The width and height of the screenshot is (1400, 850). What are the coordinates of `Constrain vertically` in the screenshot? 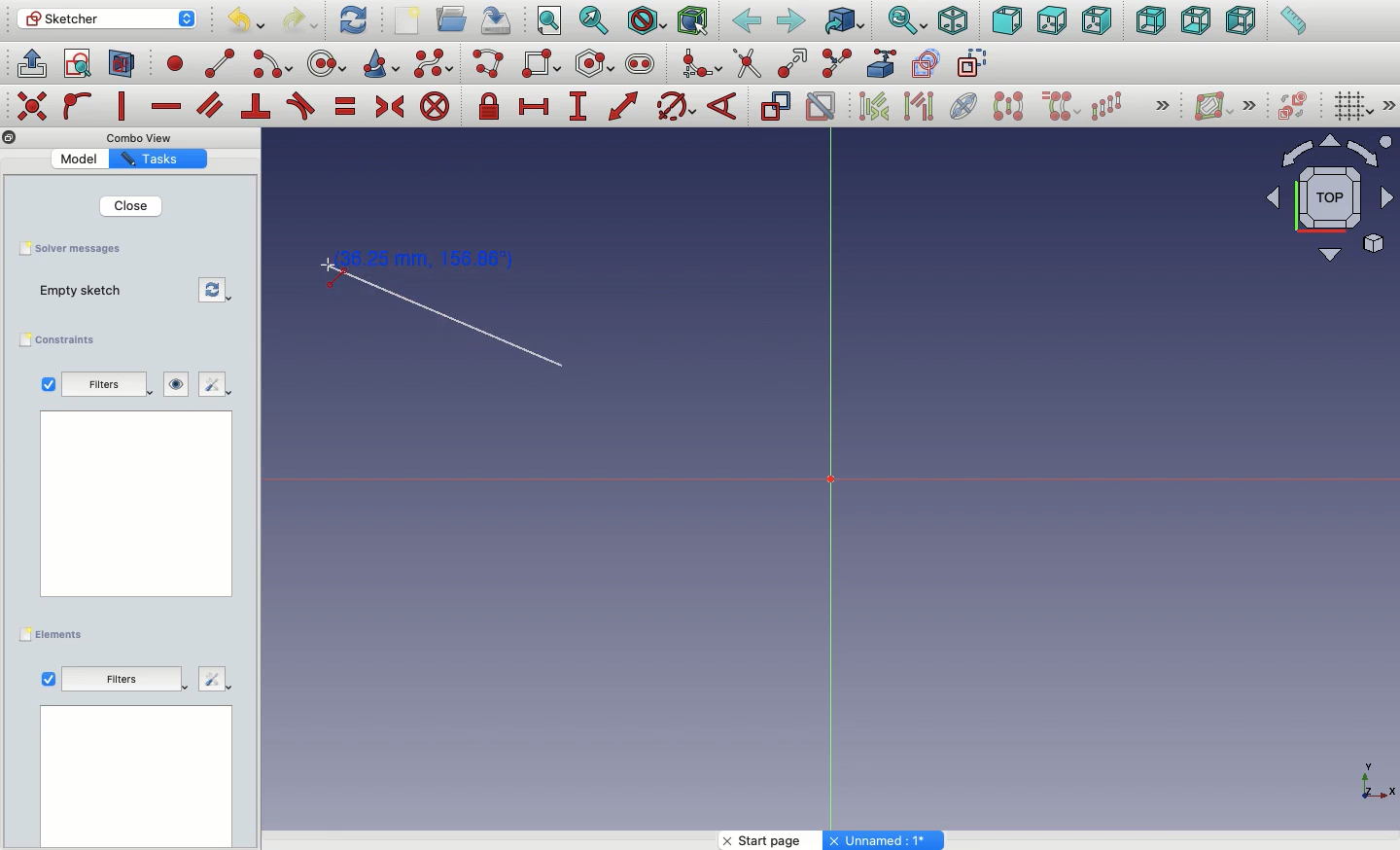 It's located at (124, 106).